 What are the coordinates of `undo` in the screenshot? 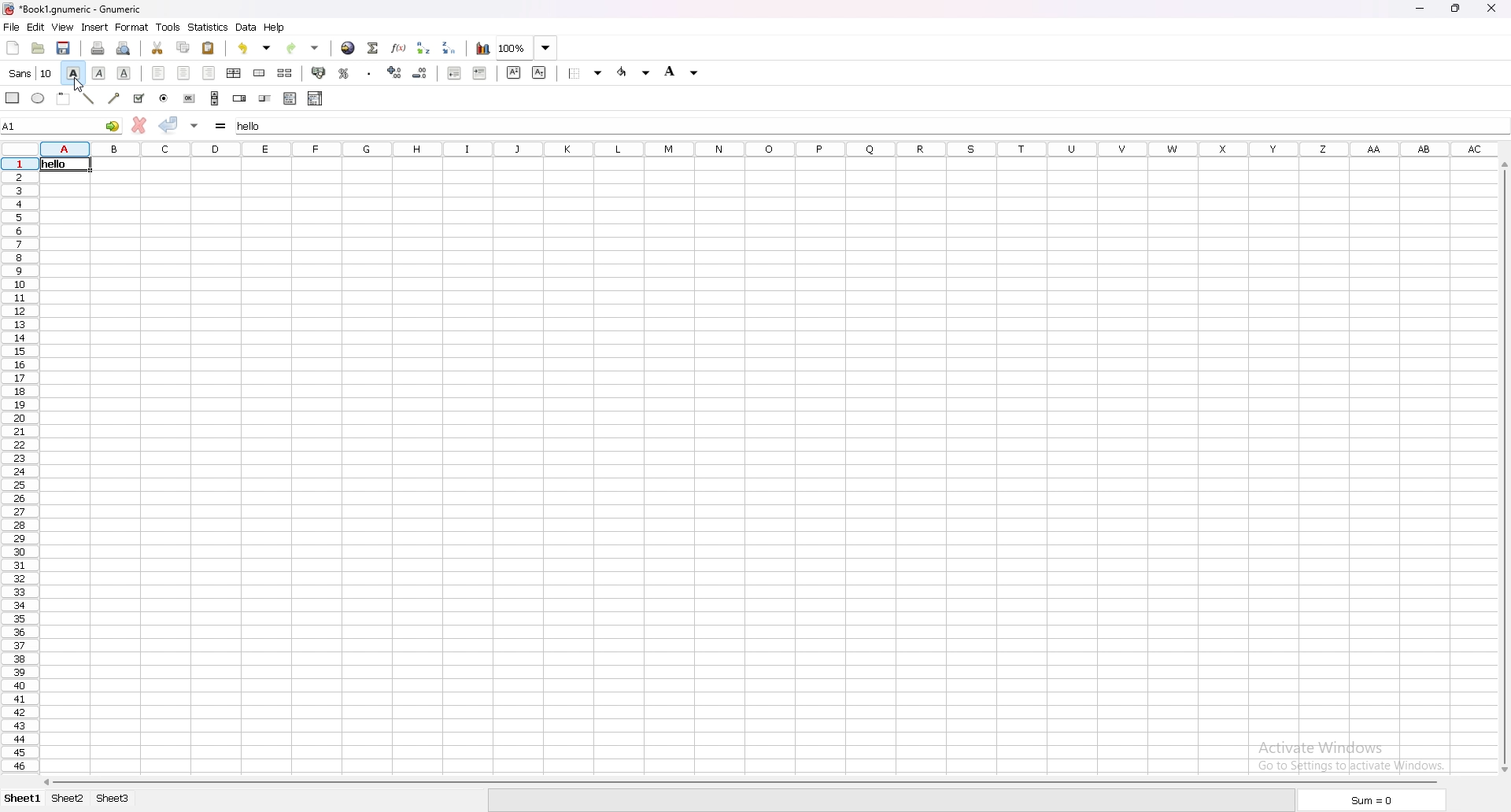 It's located at (254, 49).